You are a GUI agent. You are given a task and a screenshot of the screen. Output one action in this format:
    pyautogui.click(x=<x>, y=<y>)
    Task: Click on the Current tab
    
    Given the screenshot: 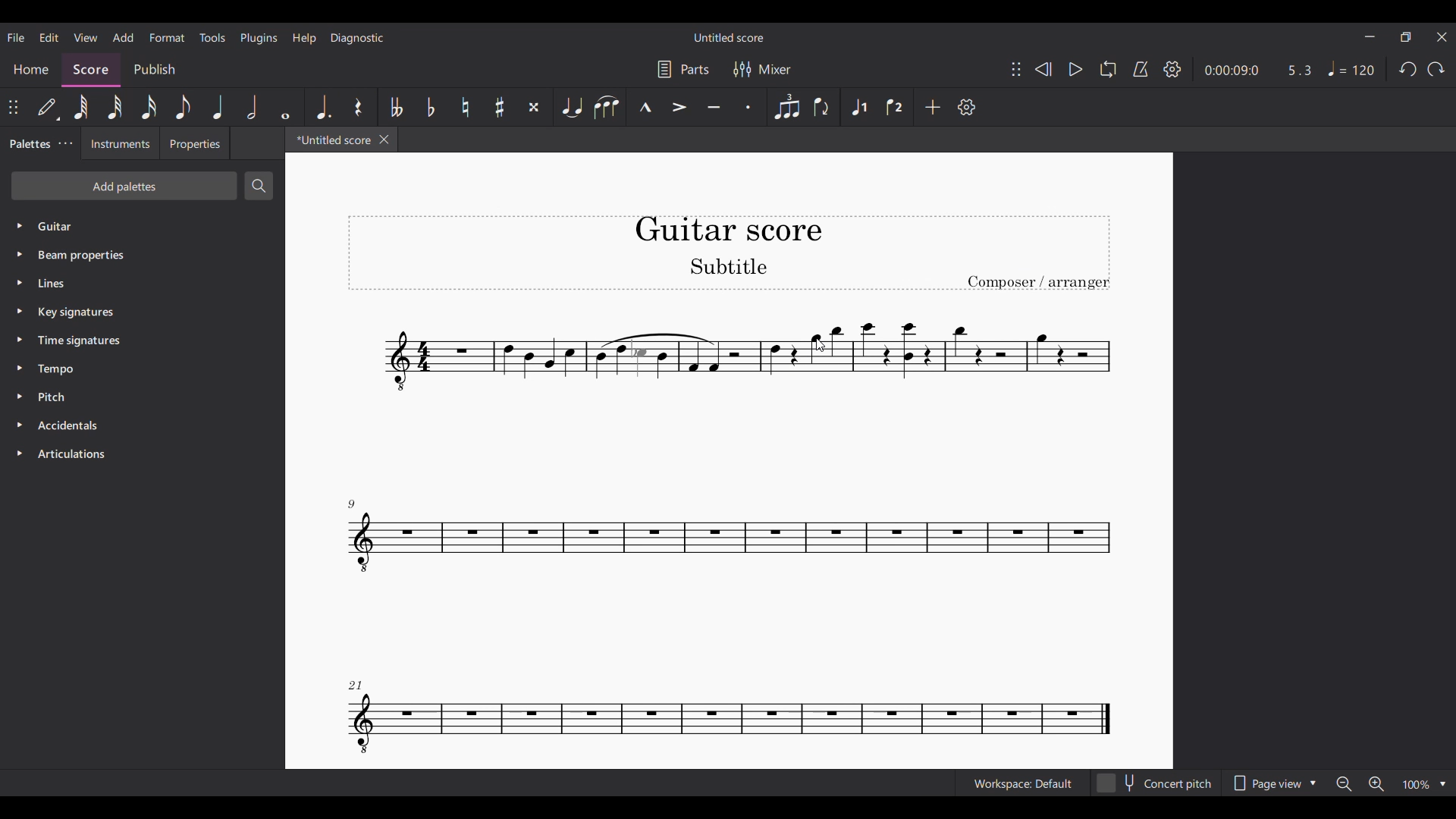 What is the action you would take?
    pyautogui.click(x=330, y=140)
    